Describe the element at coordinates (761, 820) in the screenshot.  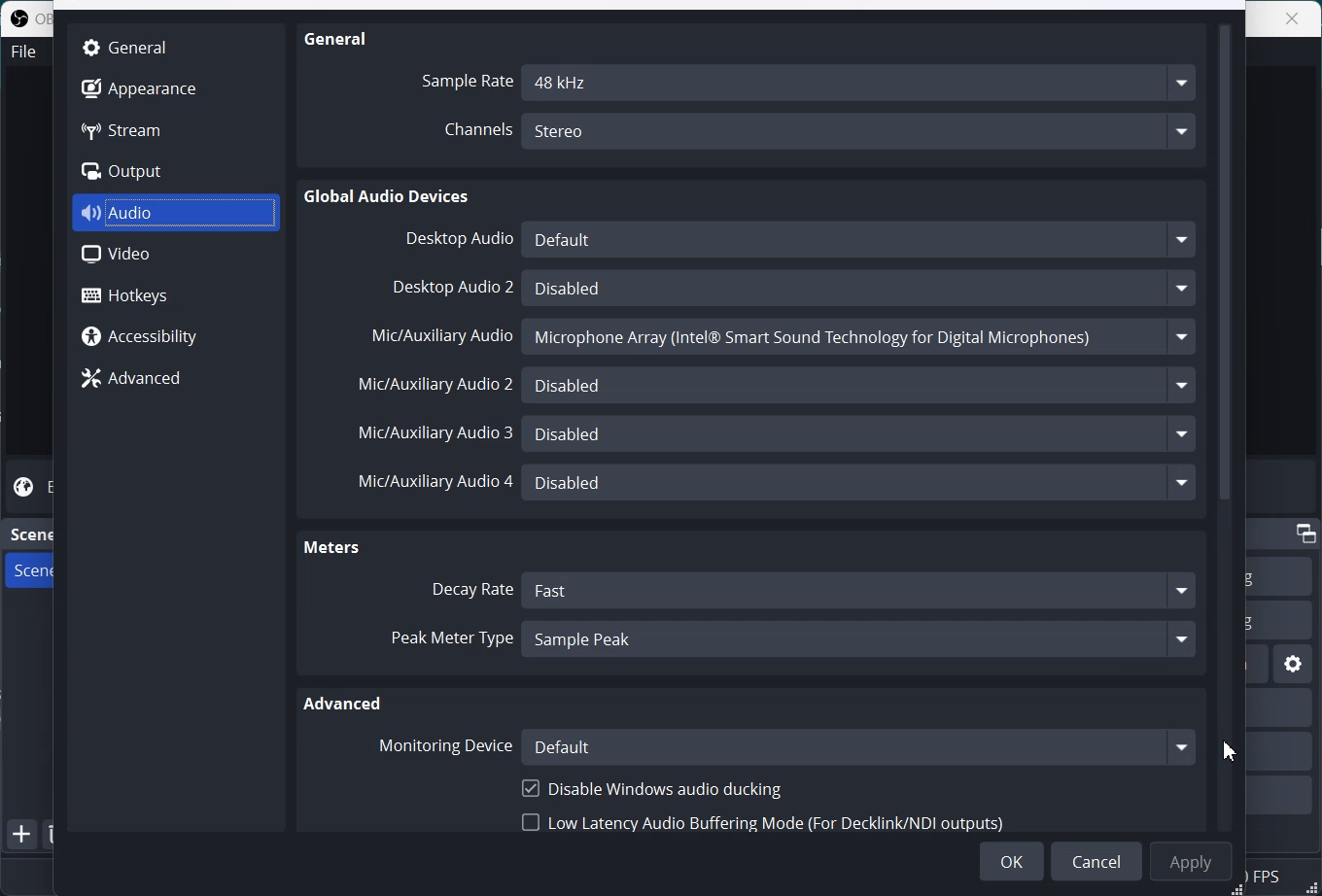
I see `Low Latency audio buffering Mode` at that location.